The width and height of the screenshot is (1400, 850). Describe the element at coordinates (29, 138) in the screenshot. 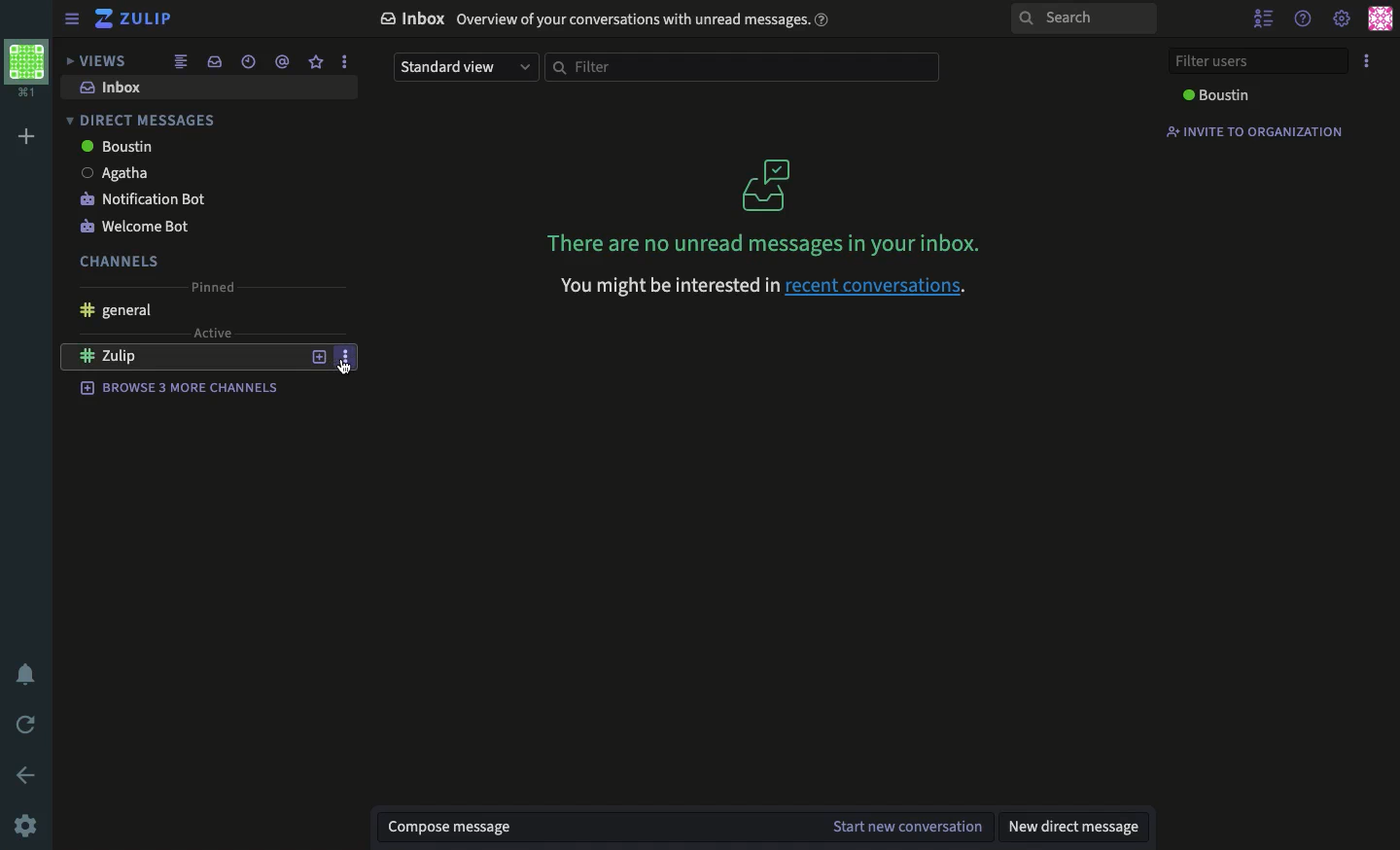

I see `add workspace` at that location.